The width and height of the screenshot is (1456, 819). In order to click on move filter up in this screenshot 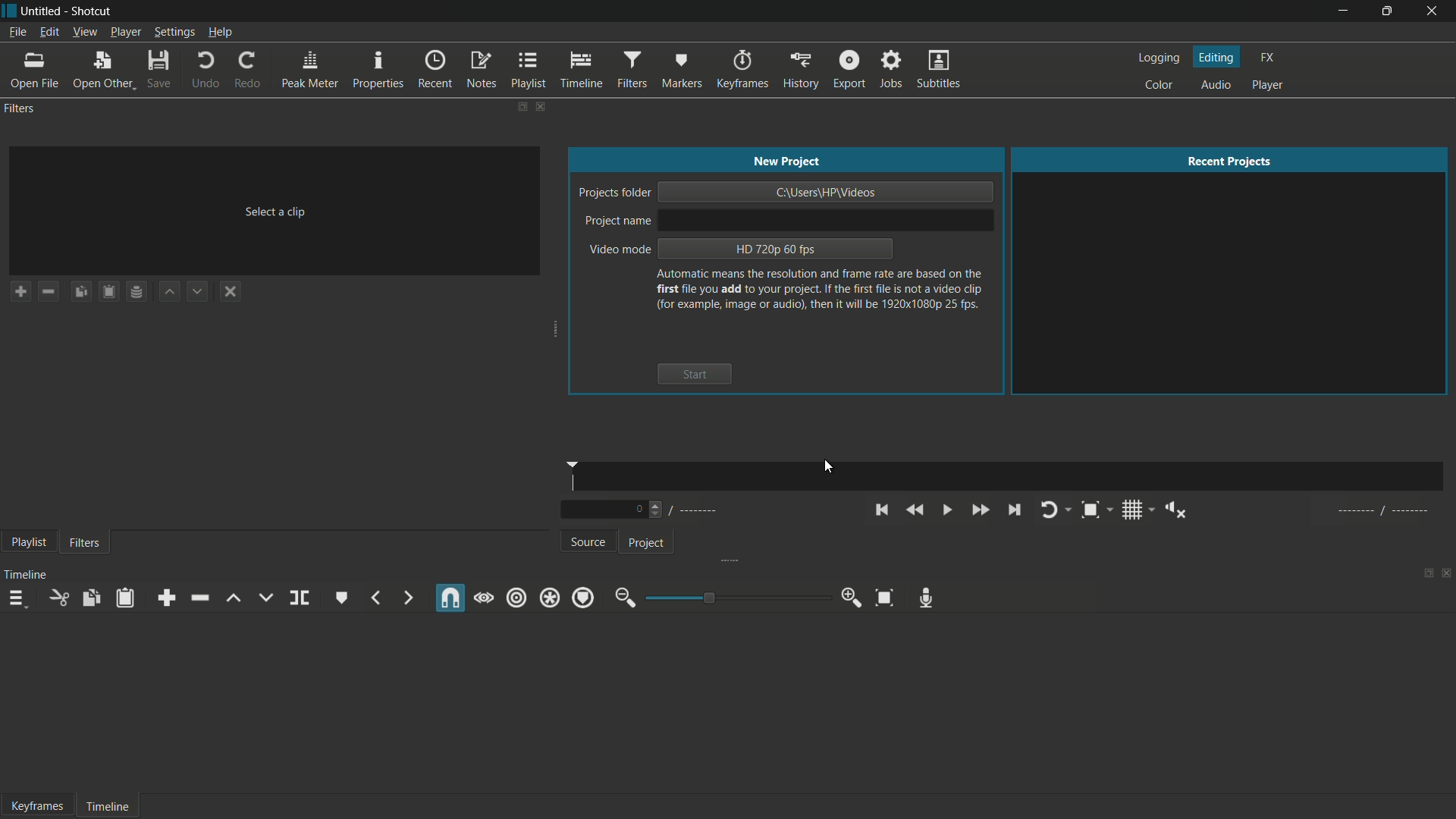, I will do `click(169, 293)`.